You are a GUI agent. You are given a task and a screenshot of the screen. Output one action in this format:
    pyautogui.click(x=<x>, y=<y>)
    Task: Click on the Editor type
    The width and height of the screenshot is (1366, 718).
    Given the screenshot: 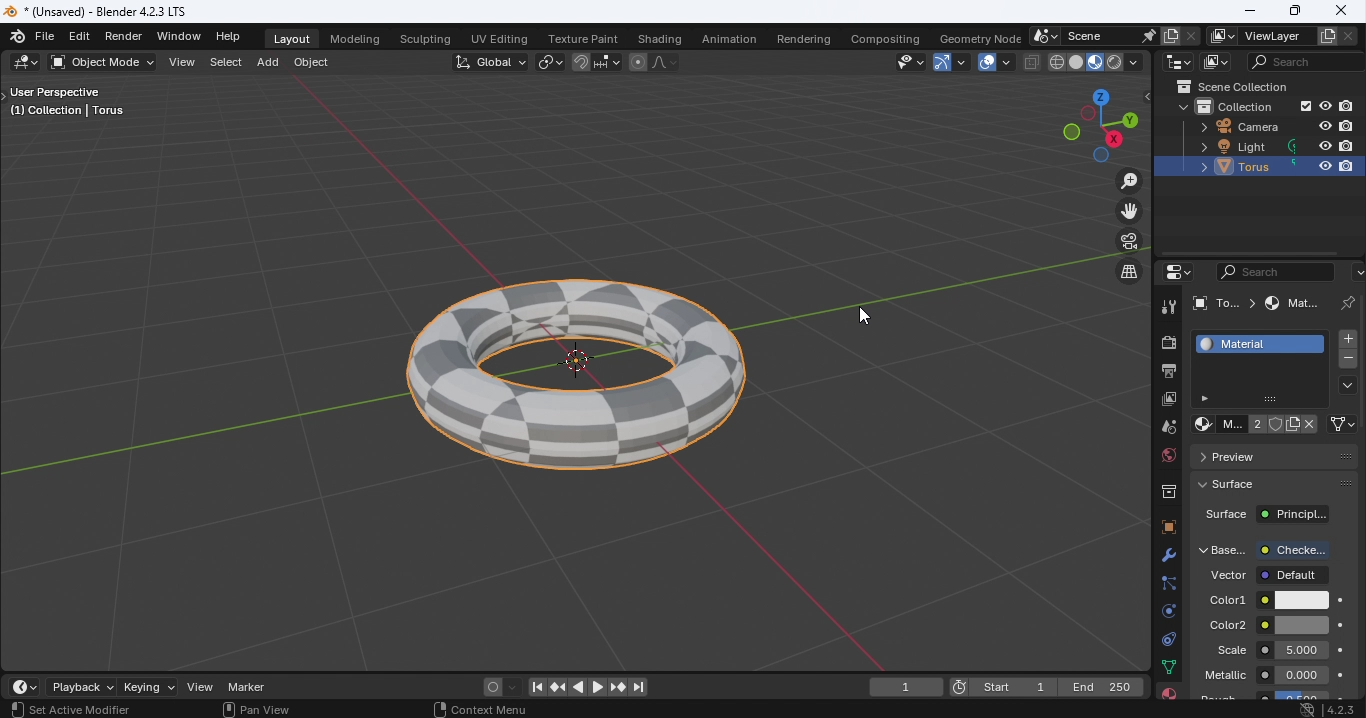 What is the action you would take?
    pyautogui.click(x=25, y=687)
    